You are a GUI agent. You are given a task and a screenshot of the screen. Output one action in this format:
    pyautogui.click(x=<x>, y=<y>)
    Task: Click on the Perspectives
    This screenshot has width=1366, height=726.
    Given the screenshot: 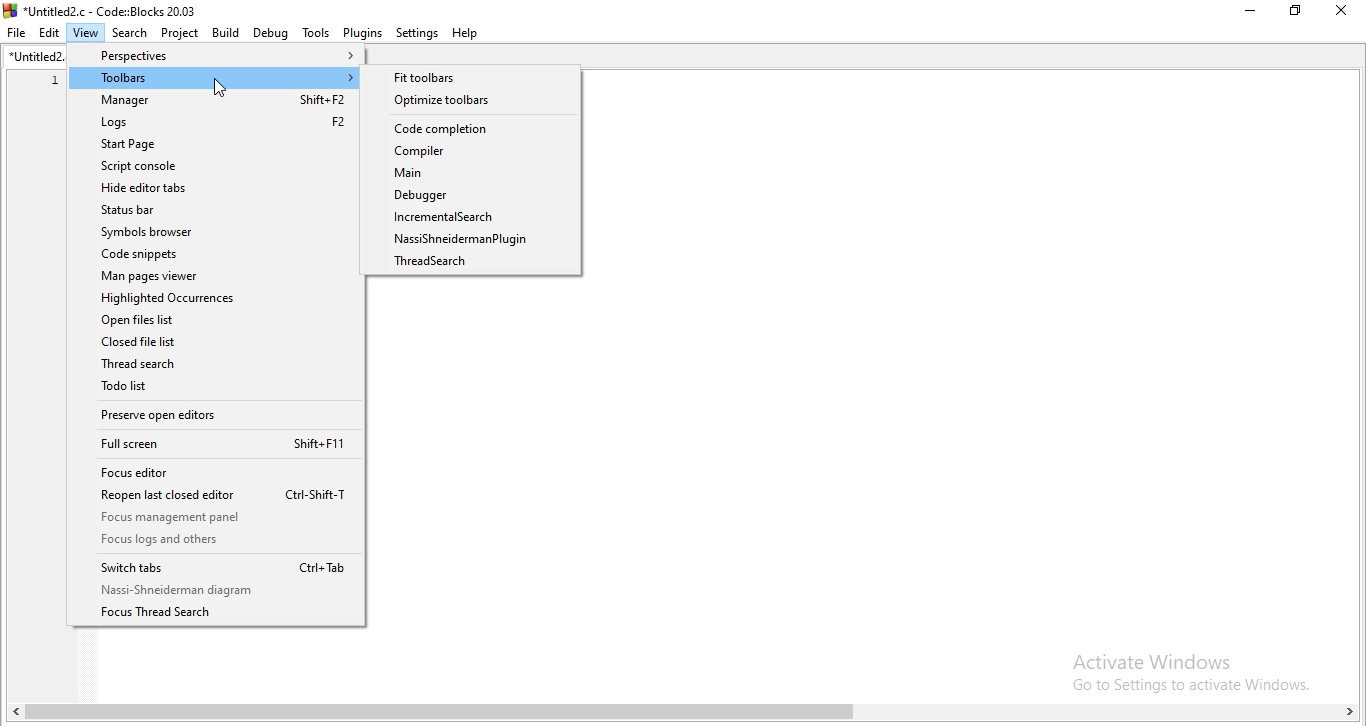 What is the action you would take?
    pyautogui.click(x=208, y=57)
    